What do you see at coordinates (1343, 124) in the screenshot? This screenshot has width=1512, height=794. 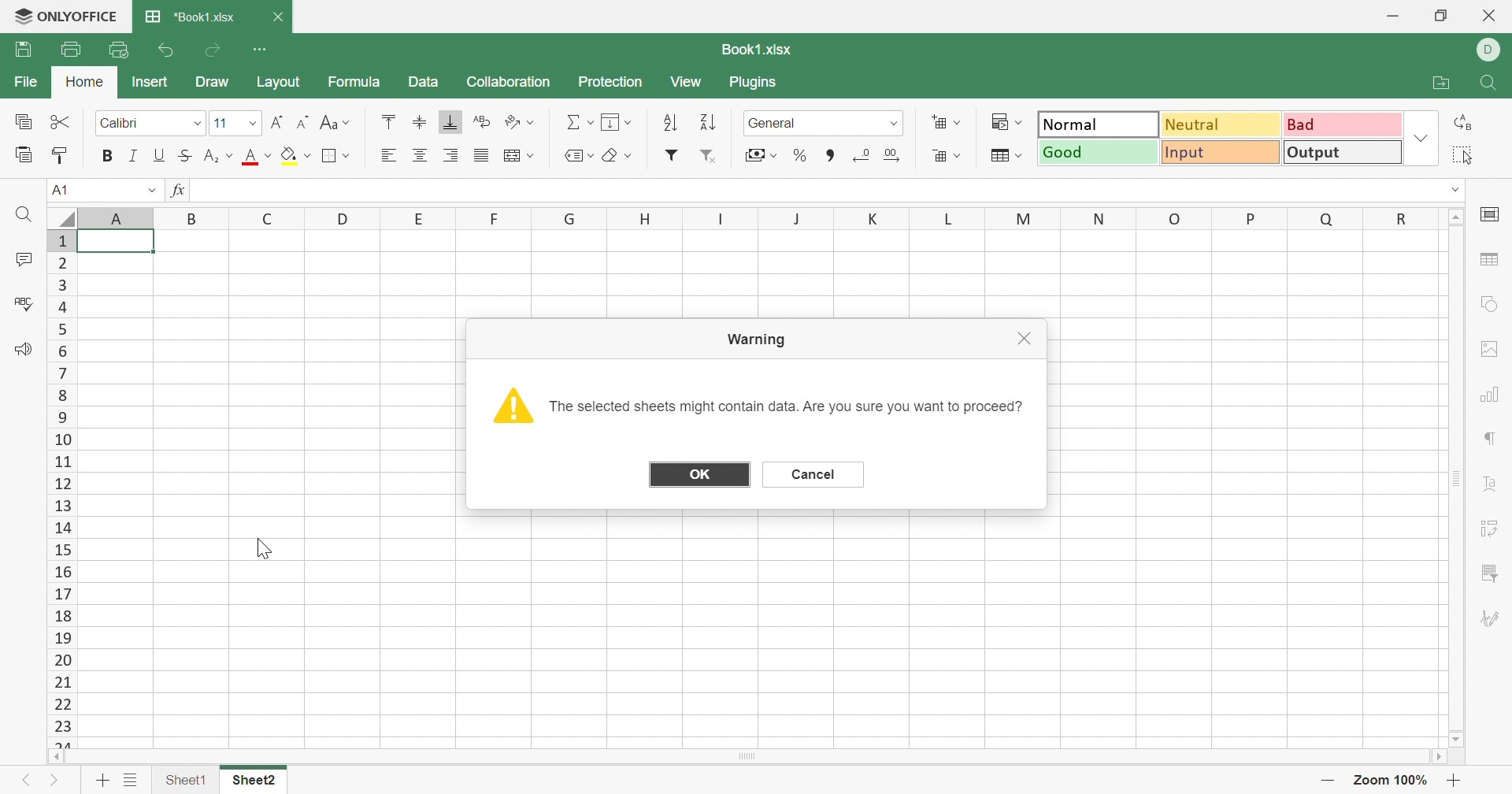 I see `Bad` at bounding box center [1343, 124].